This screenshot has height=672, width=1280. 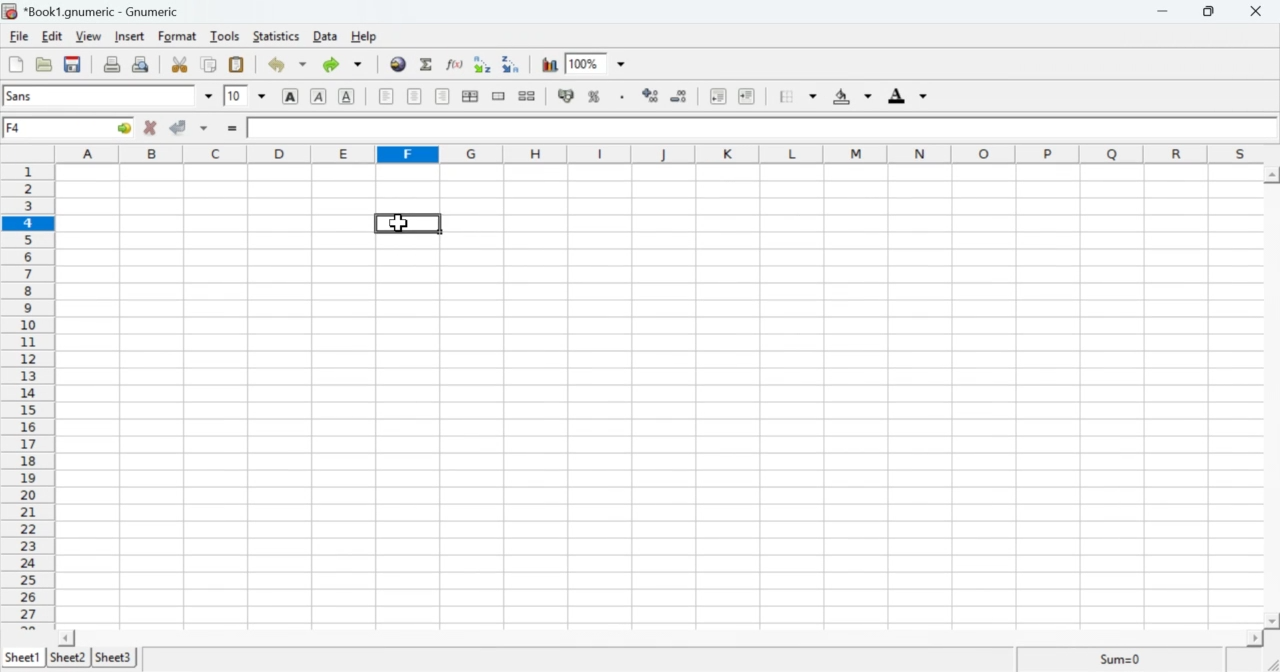 I want to click on Paste, so click(x=238, y=63).